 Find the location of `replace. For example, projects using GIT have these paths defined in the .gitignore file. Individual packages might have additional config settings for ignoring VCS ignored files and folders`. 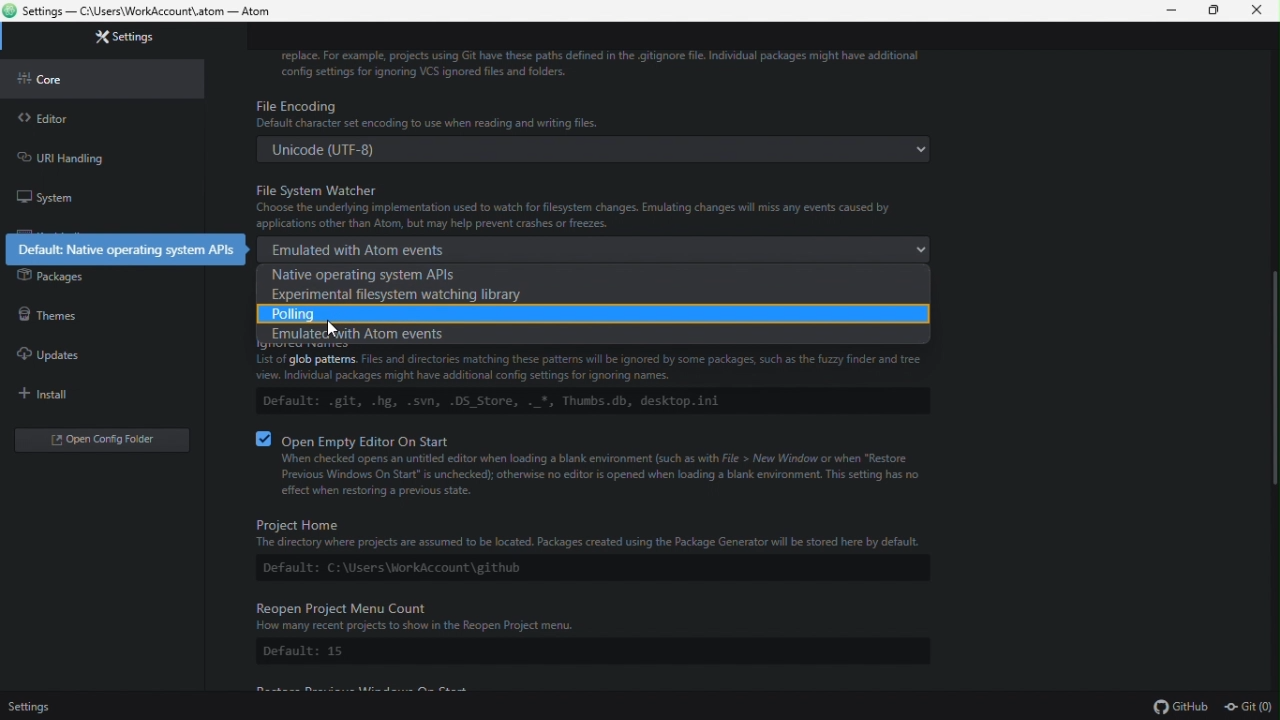

replace. For example, projects using GIT have these paths defined in the .gitignore file. Individual packages might have additional config settings for ignoring VCS ignored files and folders is located at coordinates (600, 64).